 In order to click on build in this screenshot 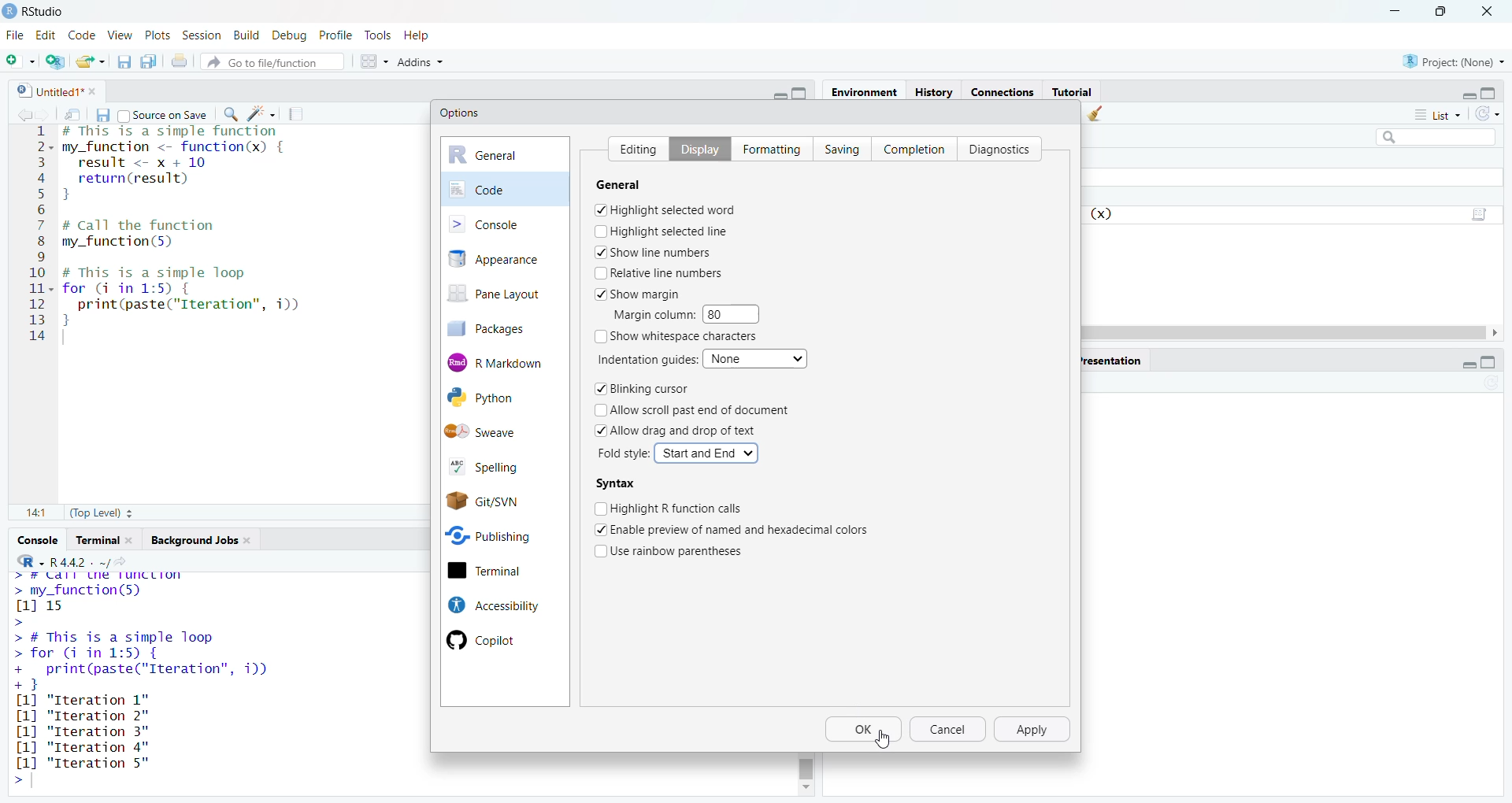, I will do `click(245, 32)`.